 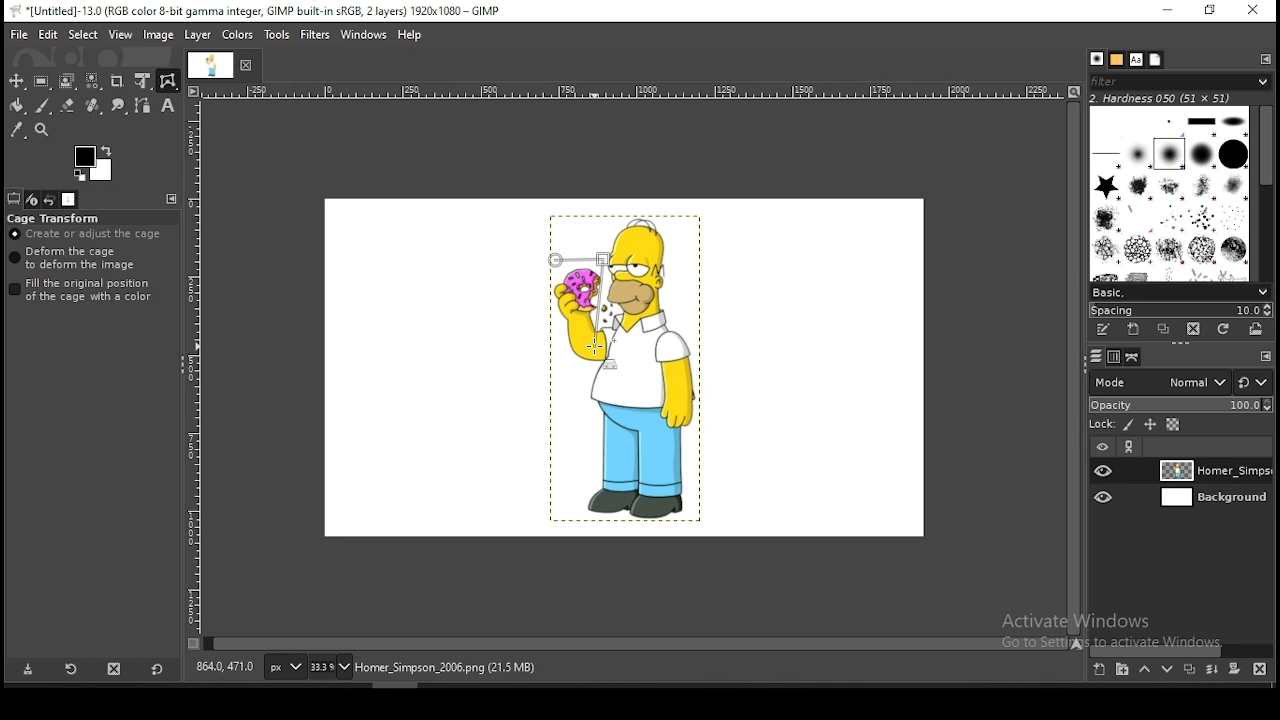 I want to click on restore, so click(x=1207, y=11).